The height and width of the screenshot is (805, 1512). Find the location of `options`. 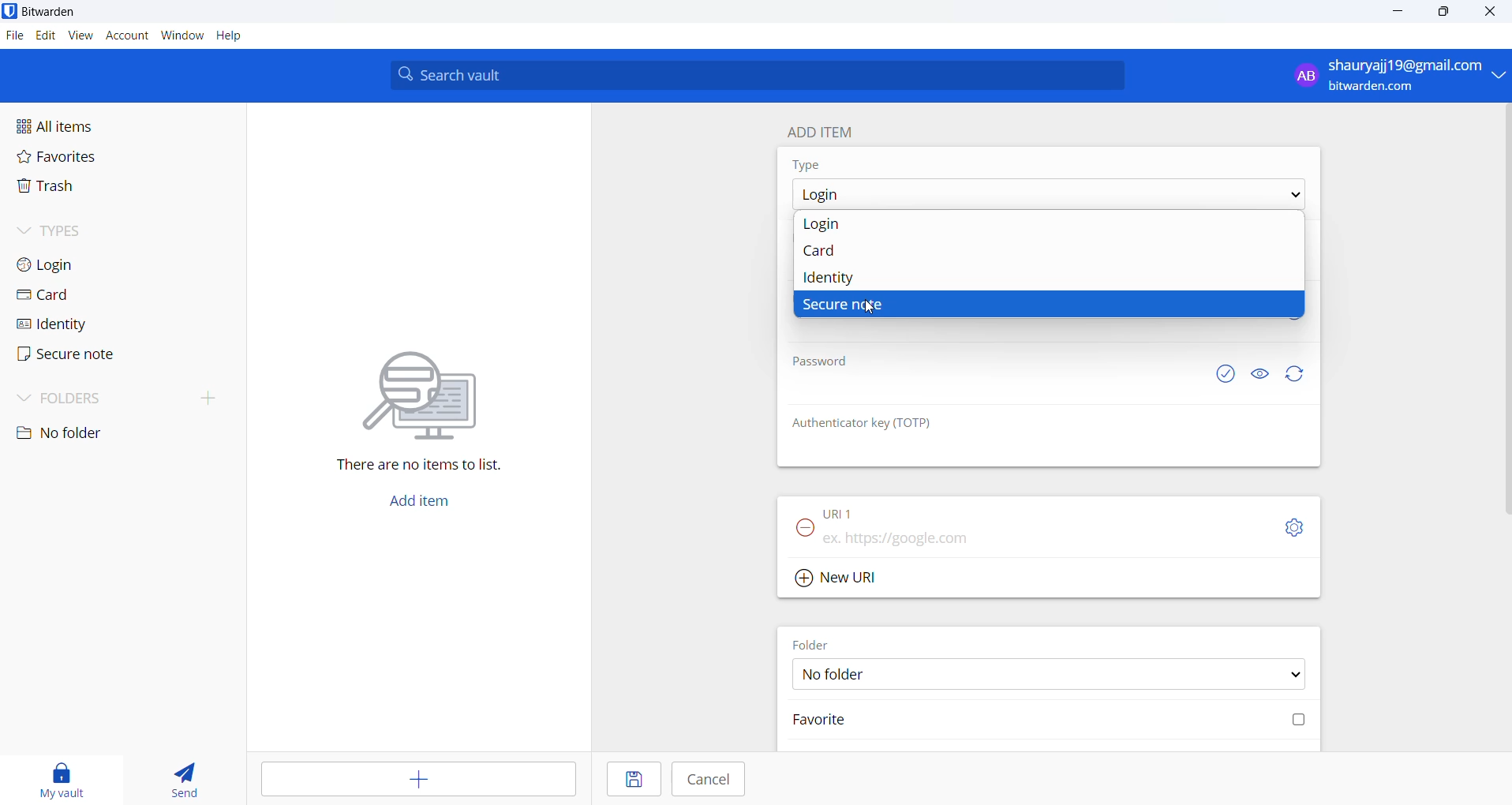

options is located at coordinates (1046, 194).